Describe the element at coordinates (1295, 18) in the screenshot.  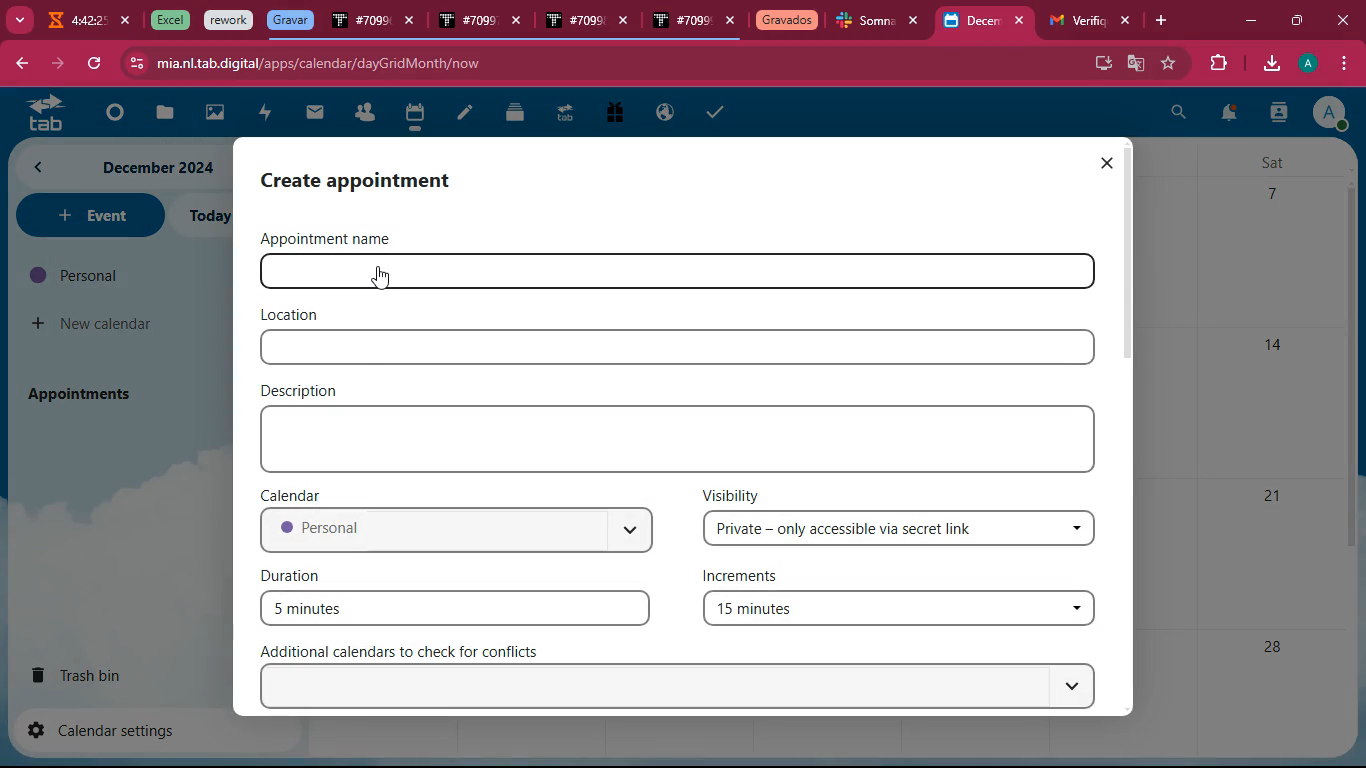
I see `maximize` at that location.